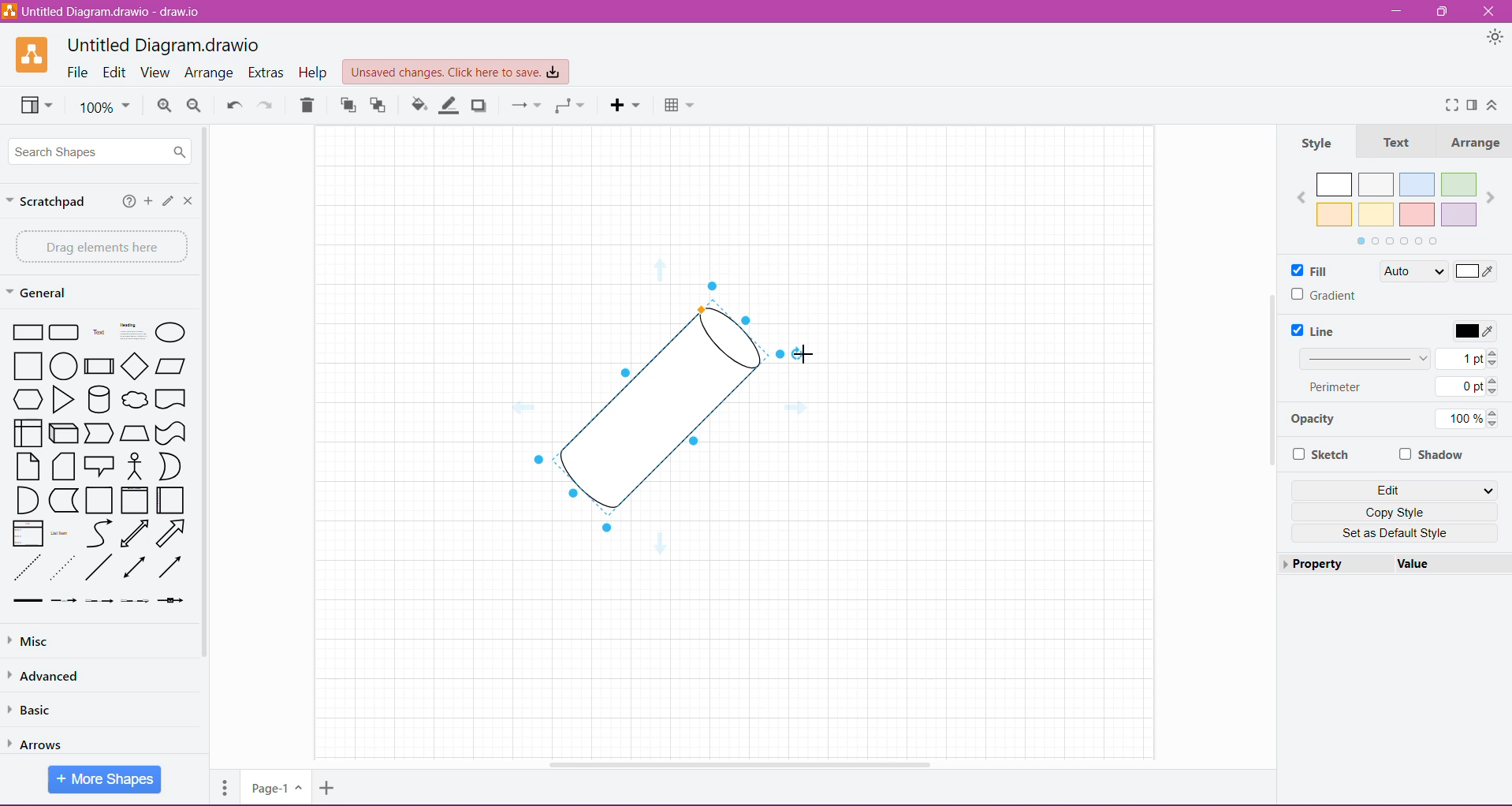  I want to click on Fullscreen, so click(1447, 104).